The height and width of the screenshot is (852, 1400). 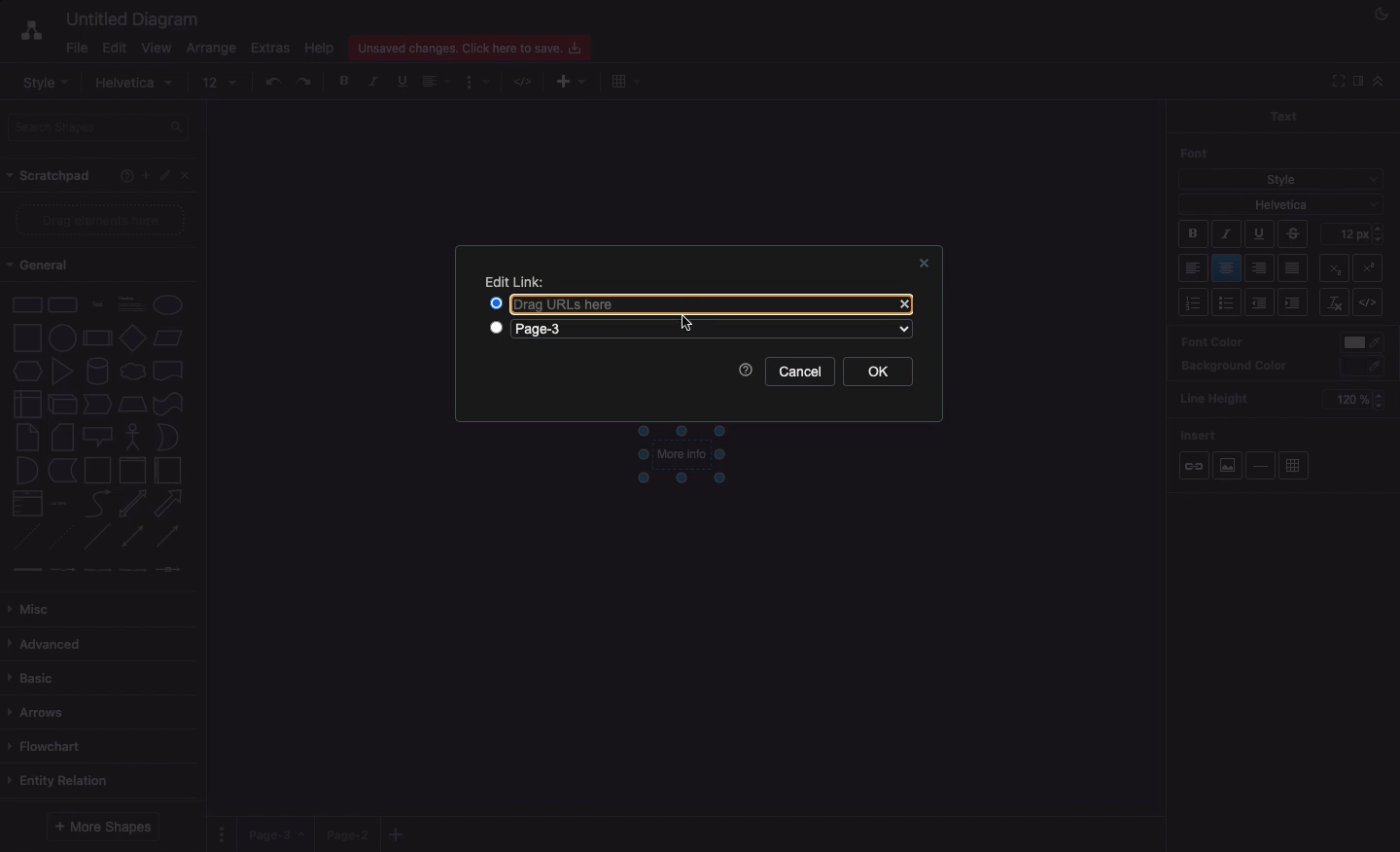 I want to click on Line, so click(x=97, y=536).